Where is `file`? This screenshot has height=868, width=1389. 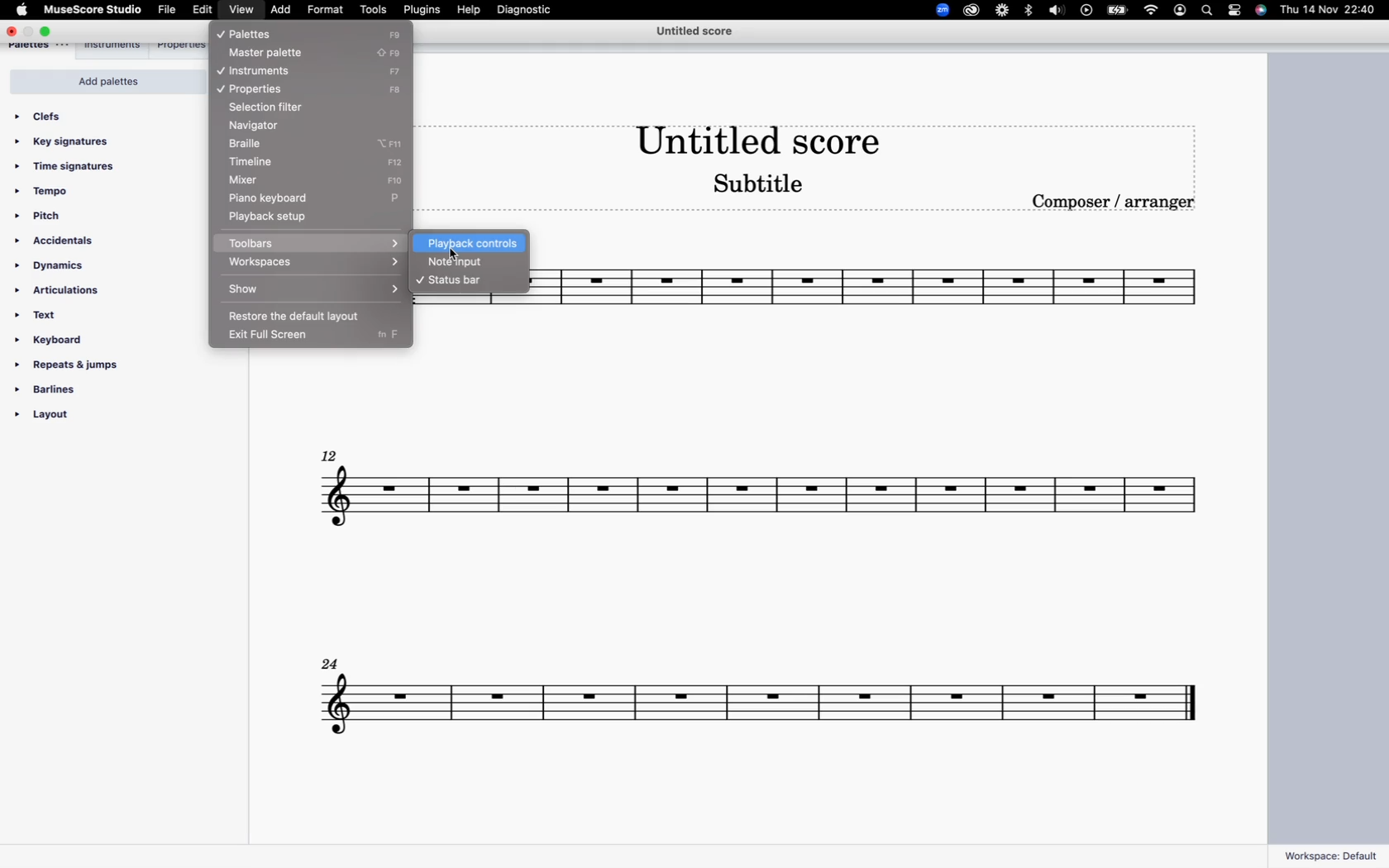
file is located at coordinates (166, 11).